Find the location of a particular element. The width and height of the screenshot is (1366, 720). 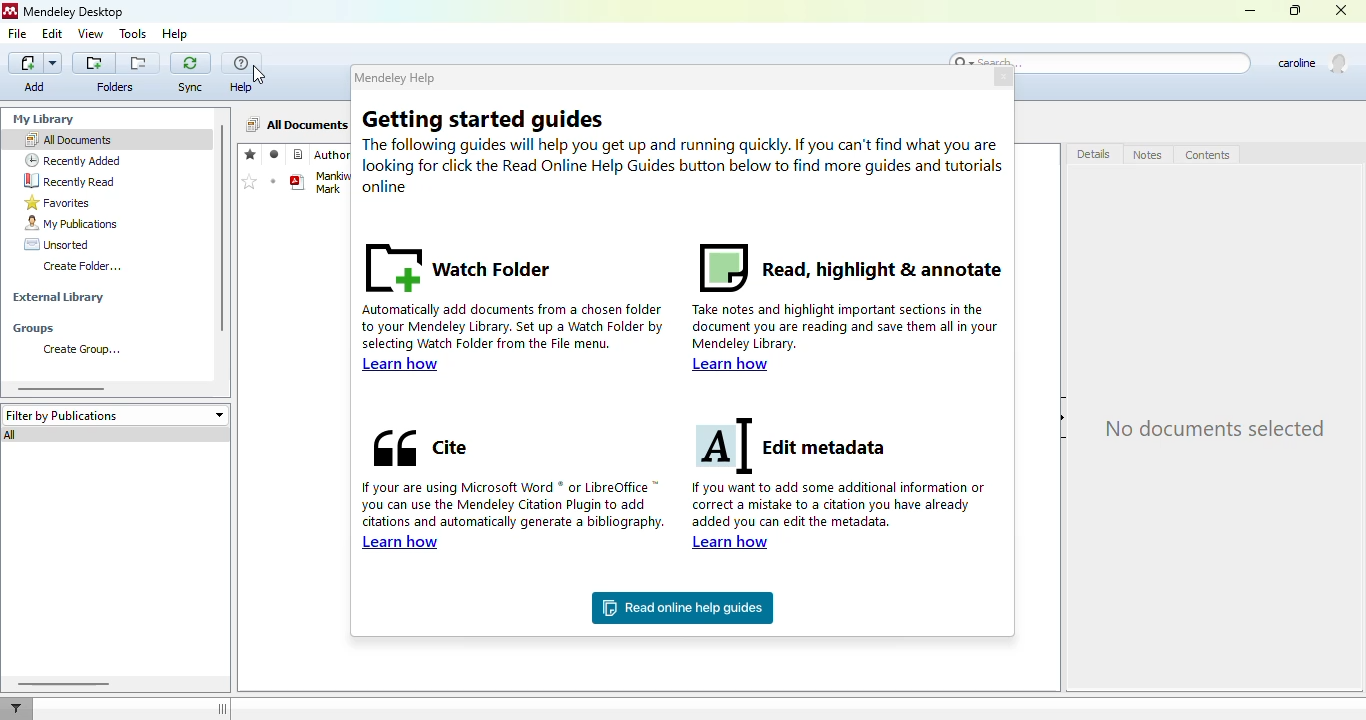

the following guides will help you get up and running quickly. if you can't find what you are looking for click the Read online help guides button below to find more guides and tutorials online is located at coordinates (680, 167).